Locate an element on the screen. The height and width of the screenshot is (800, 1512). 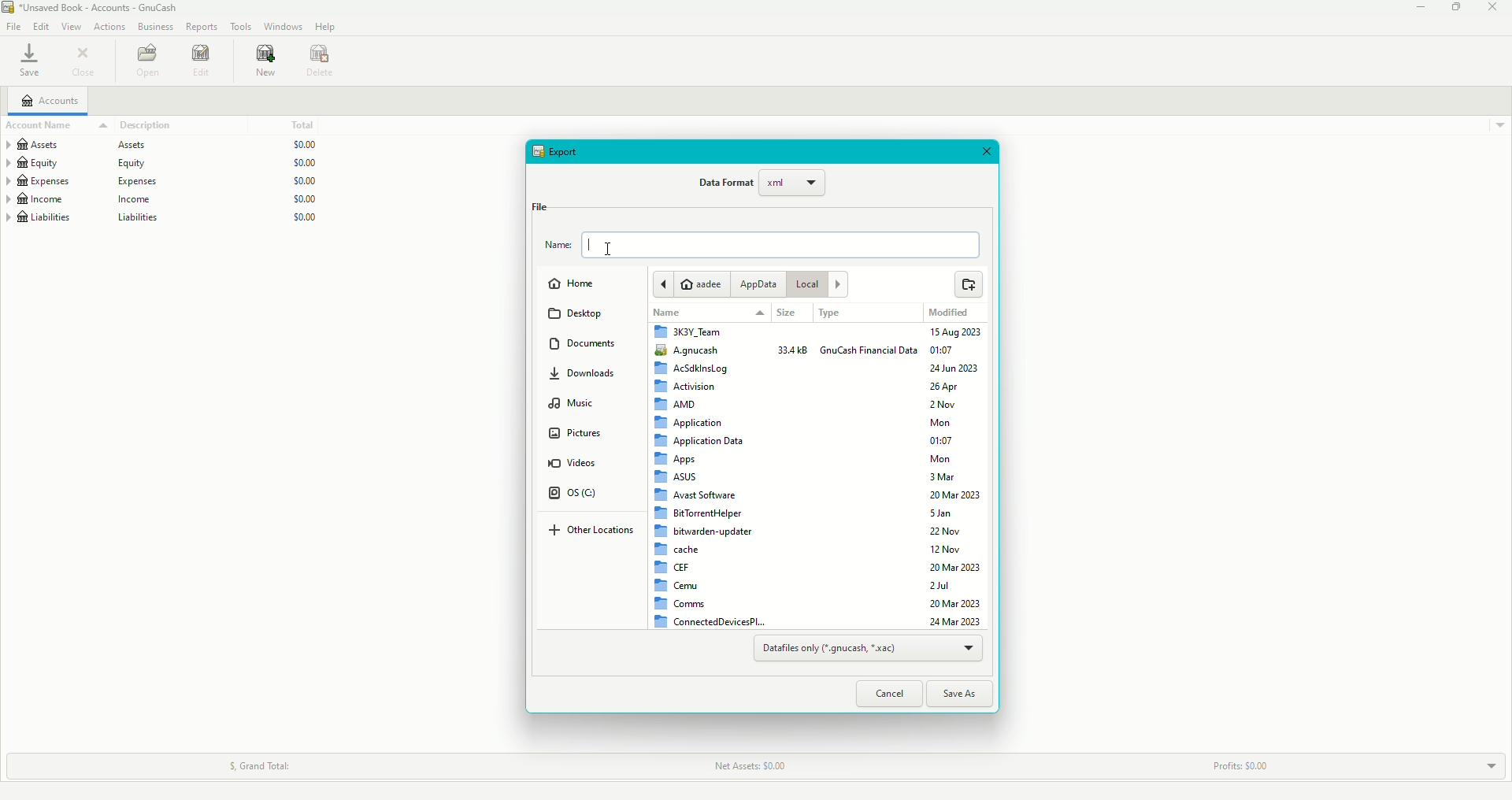
Grant Total is located at coordinates (270, 761).